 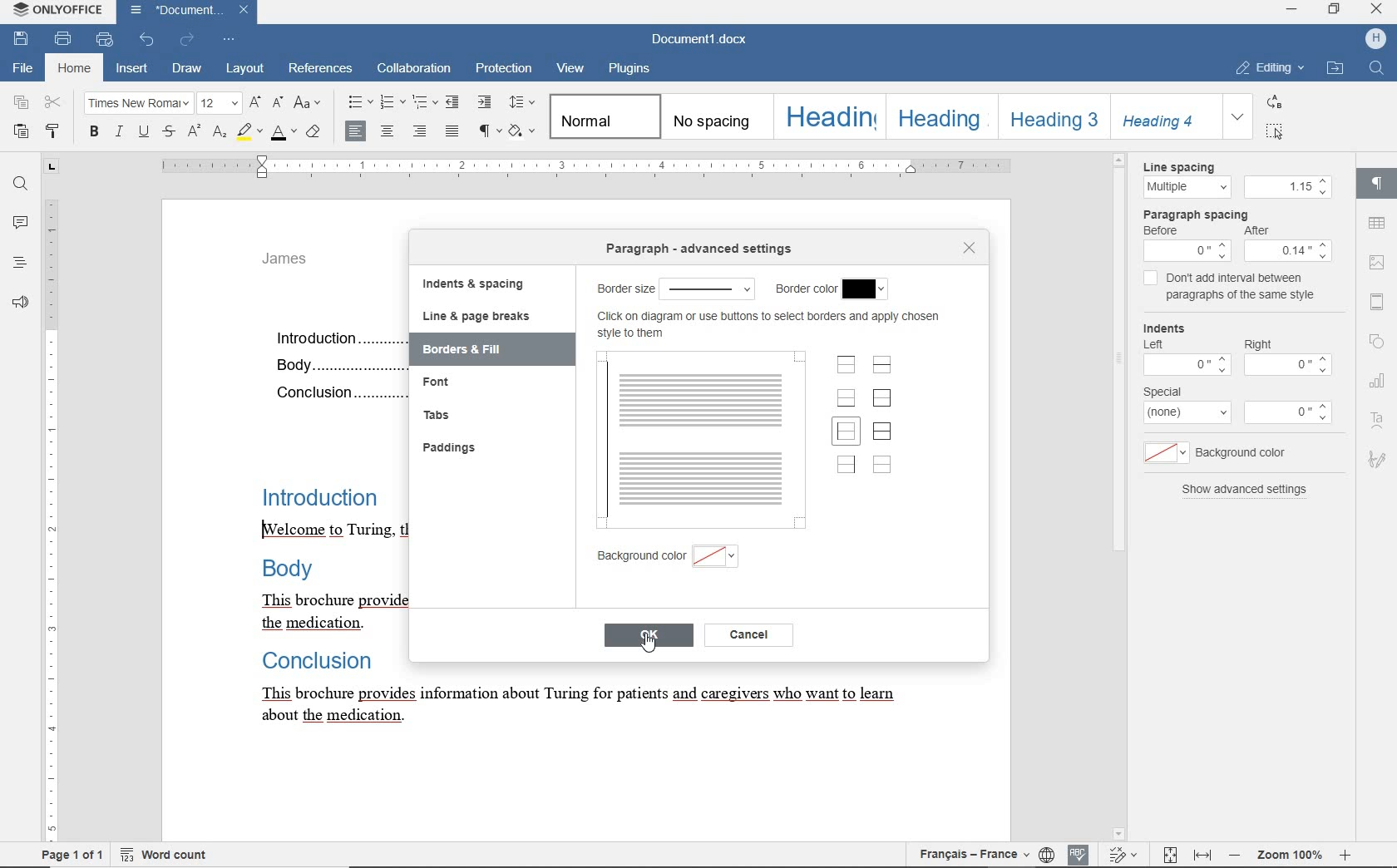 I want to click on set document language, so click(x=1046, y=856).